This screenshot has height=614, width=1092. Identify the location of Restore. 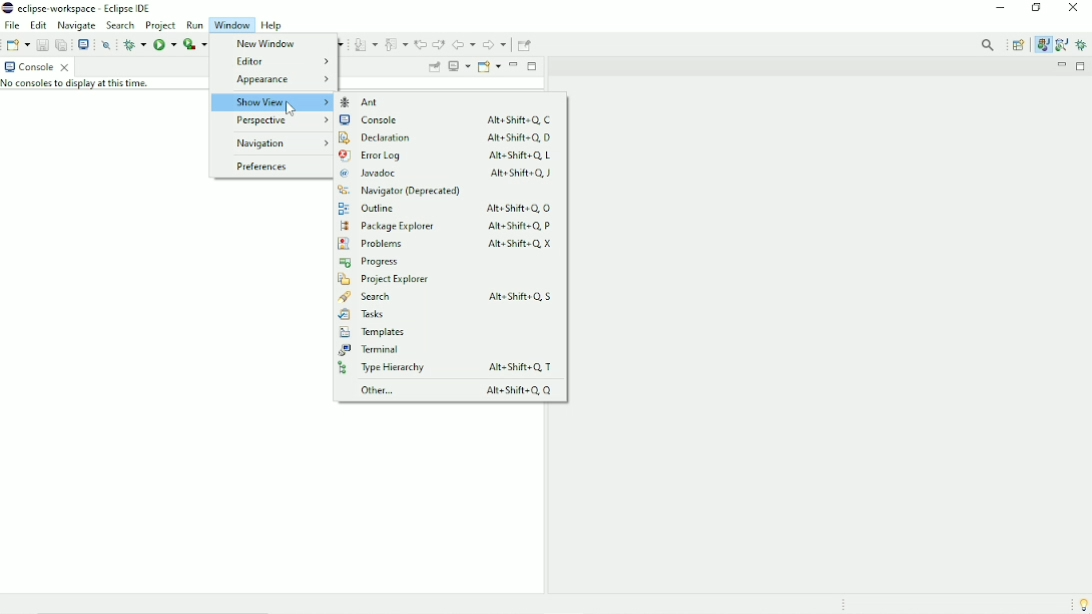
(1040, 9).